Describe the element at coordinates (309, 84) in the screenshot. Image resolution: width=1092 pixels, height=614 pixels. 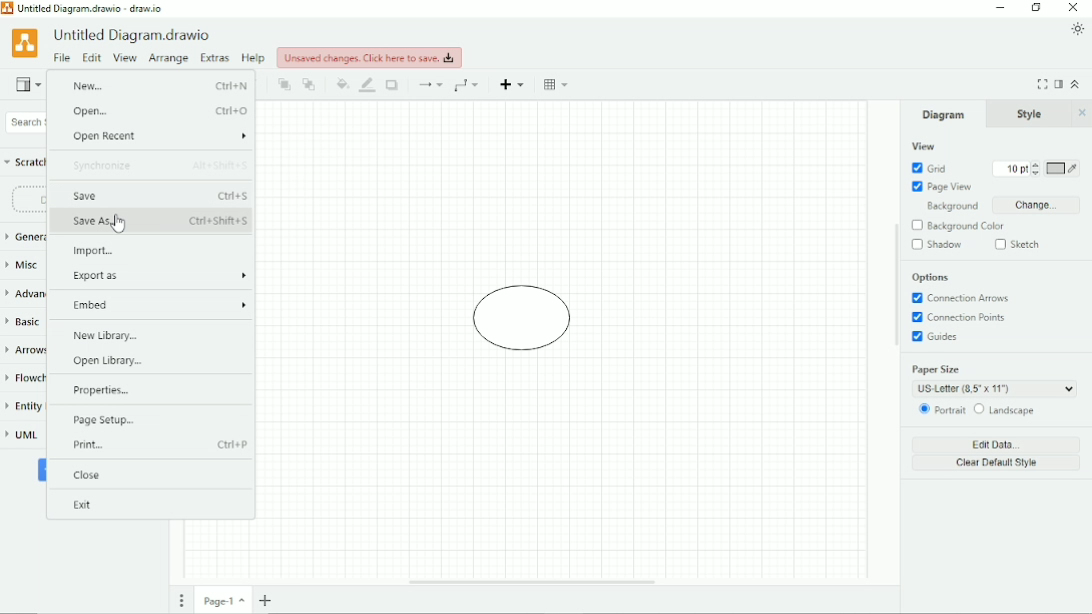
I see `To back` at that location.